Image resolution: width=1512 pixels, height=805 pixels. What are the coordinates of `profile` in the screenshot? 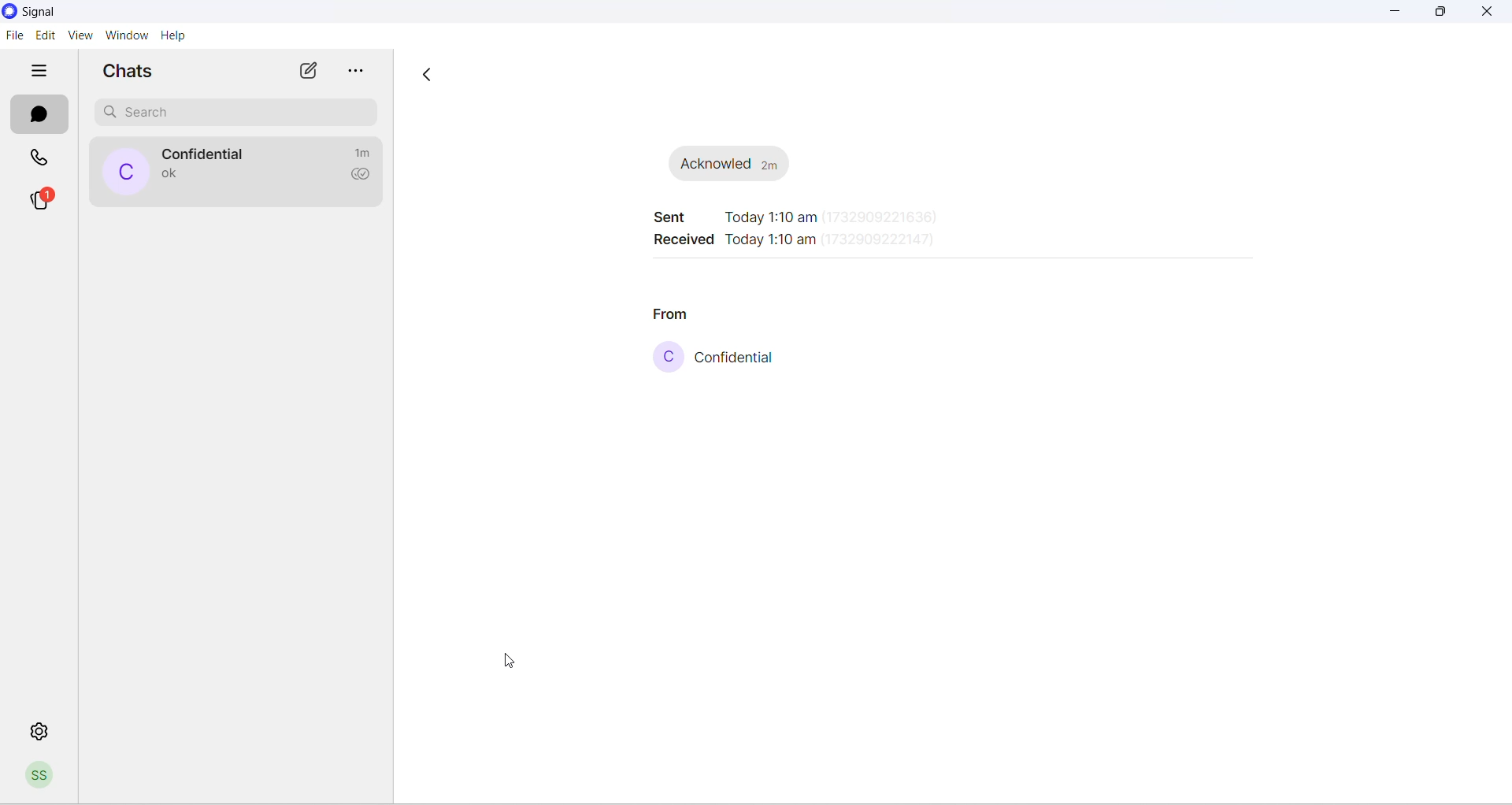 It's located at (40, 777).